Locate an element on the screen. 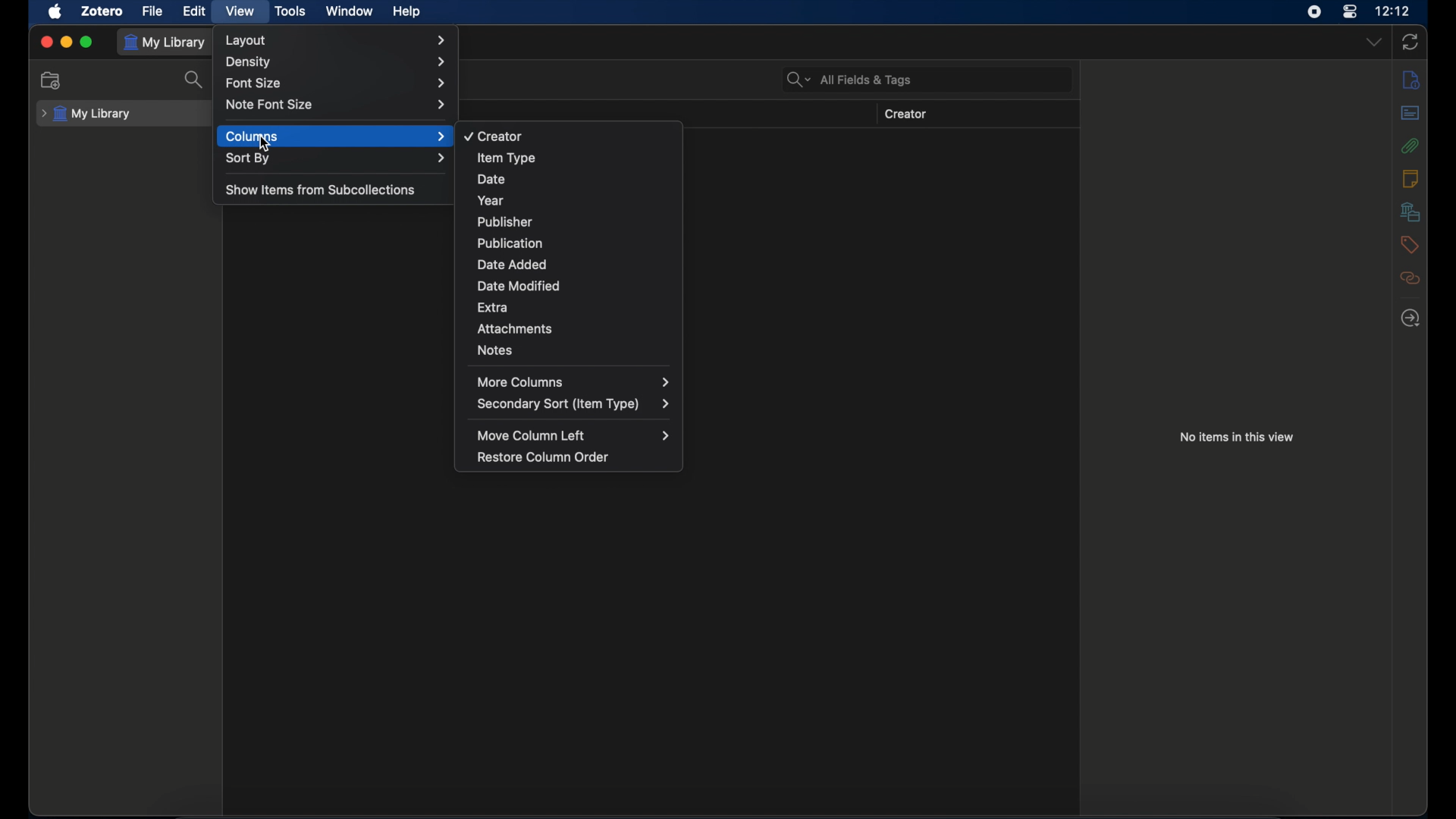 The width and height of the screenshot is (1456, 819). sort by is located at coordinates (336, 158).